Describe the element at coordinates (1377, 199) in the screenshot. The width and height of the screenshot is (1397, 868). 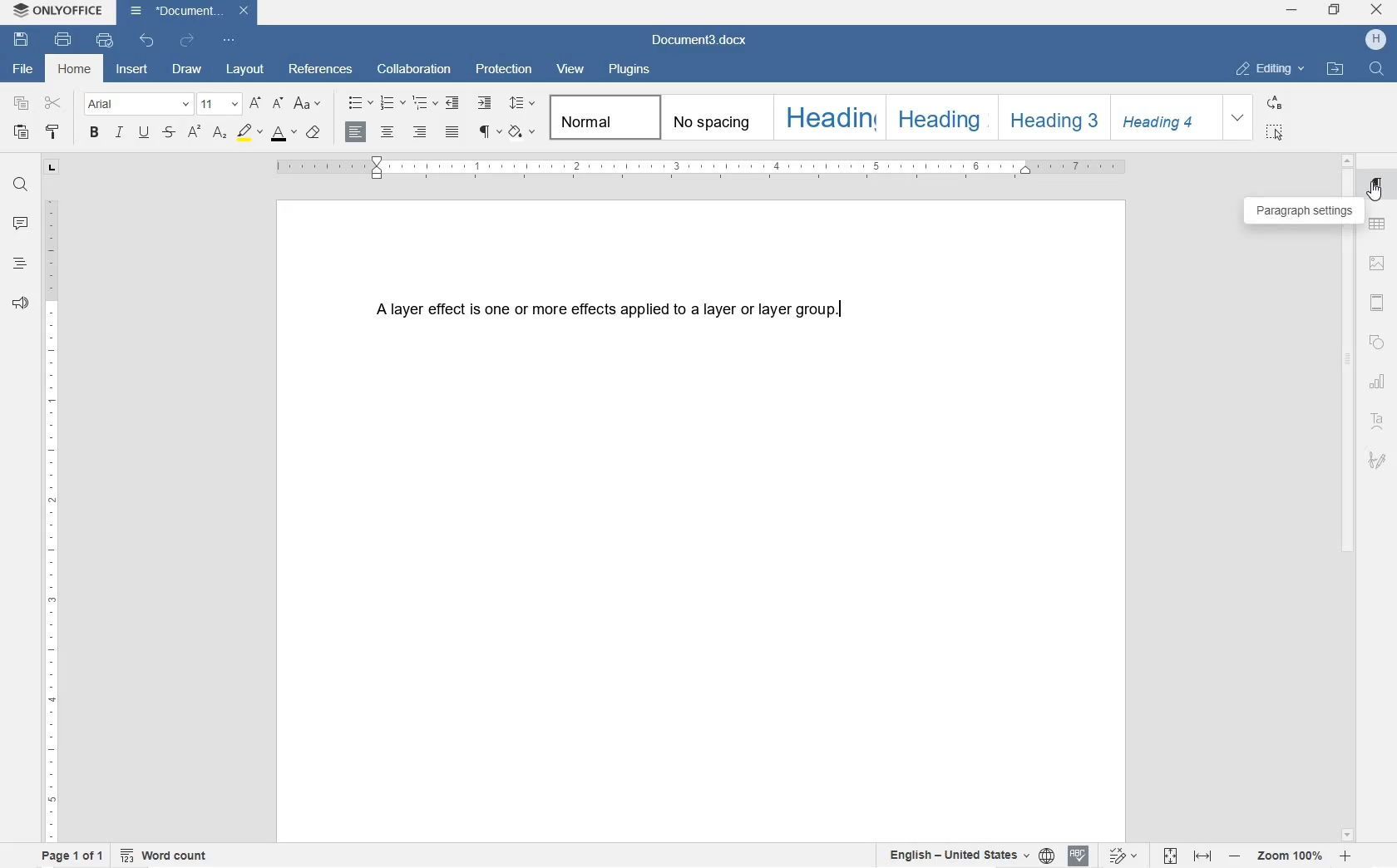
I see `CURSOR` at that location.